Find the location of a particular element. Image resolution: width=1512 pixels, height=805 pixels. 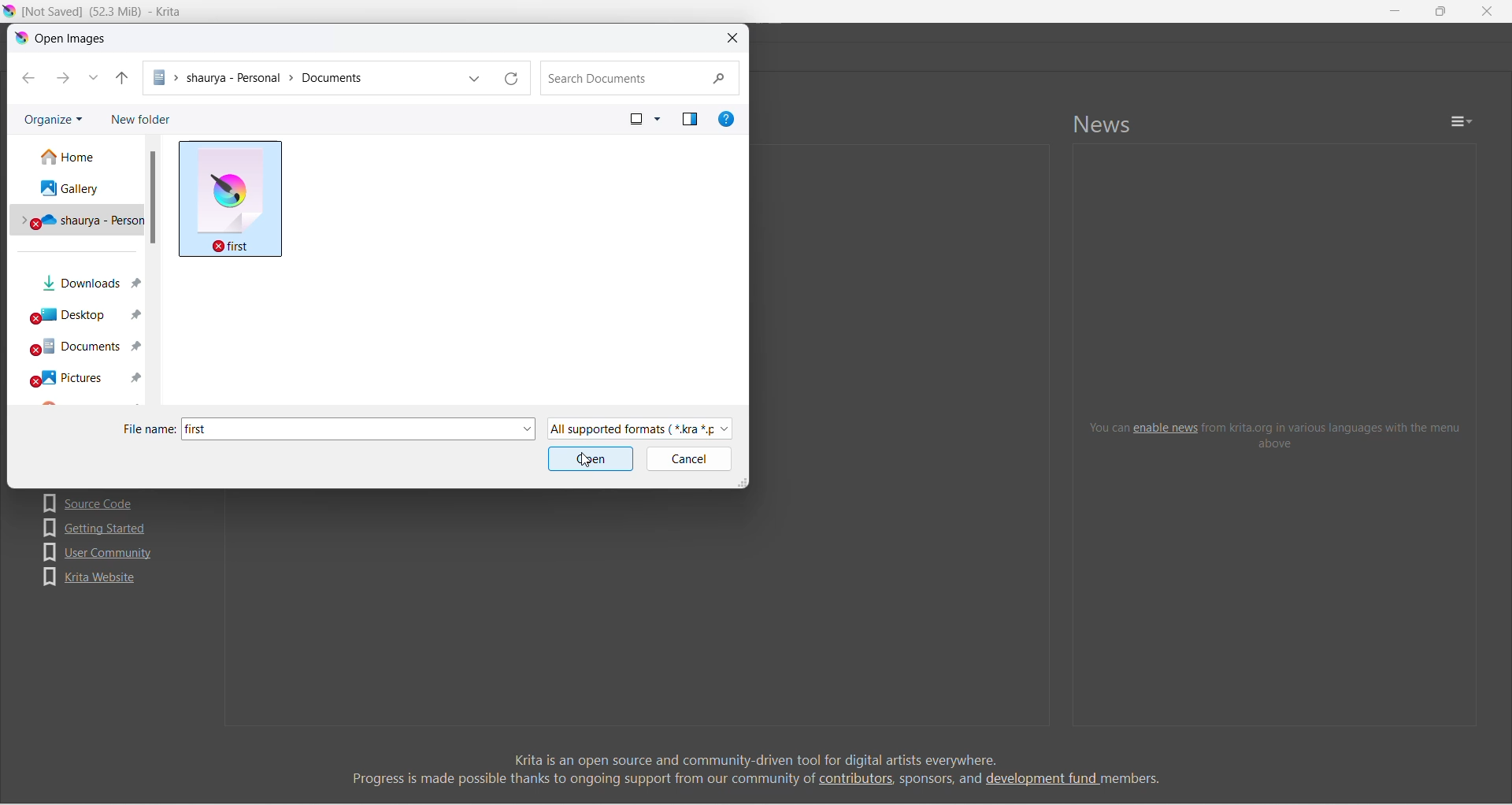

downloads is located at coordinates (83, 278).